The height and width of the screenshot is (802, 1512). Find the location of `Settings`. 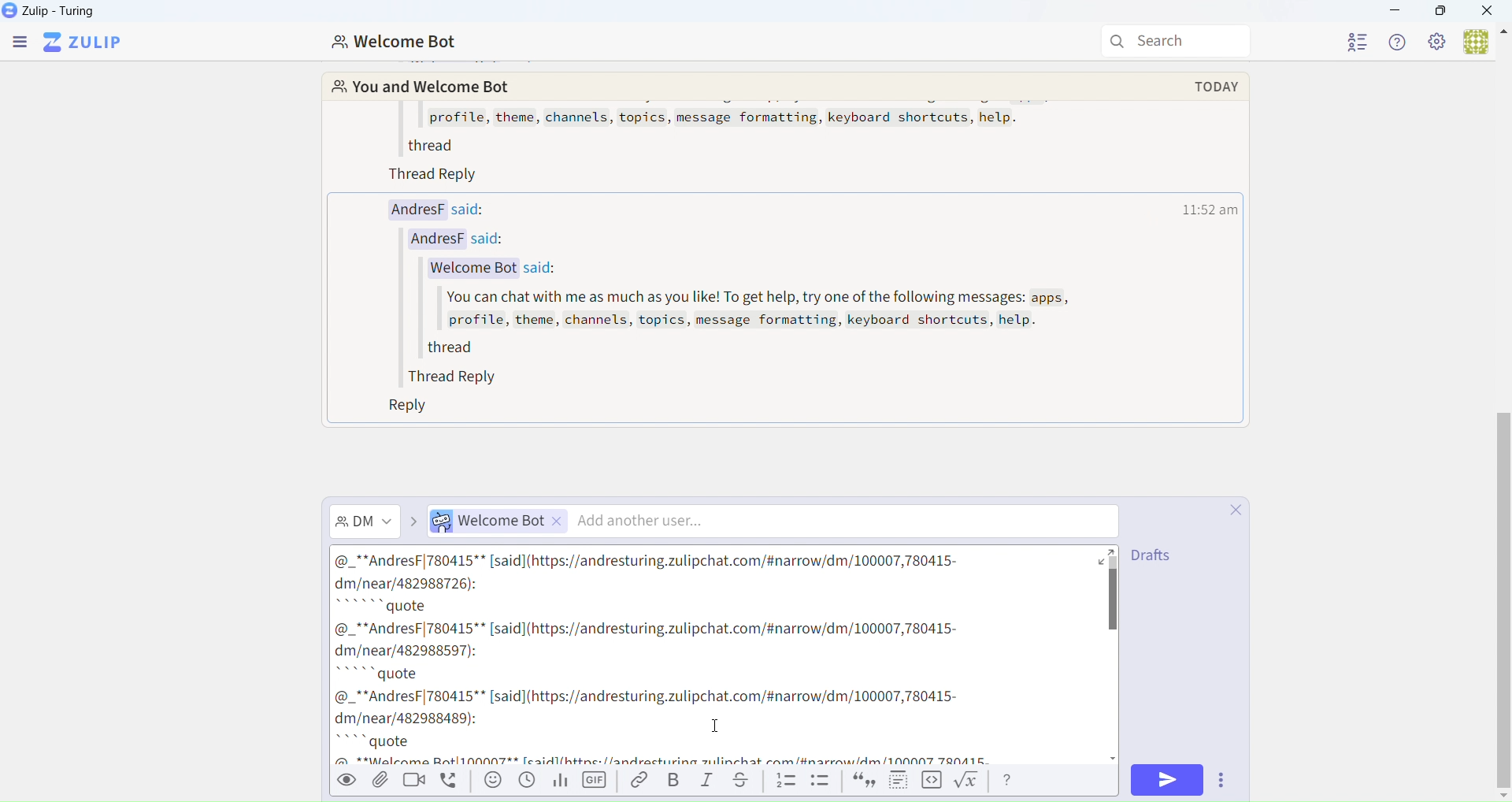

Settings is located at coordinates (1436, 41).